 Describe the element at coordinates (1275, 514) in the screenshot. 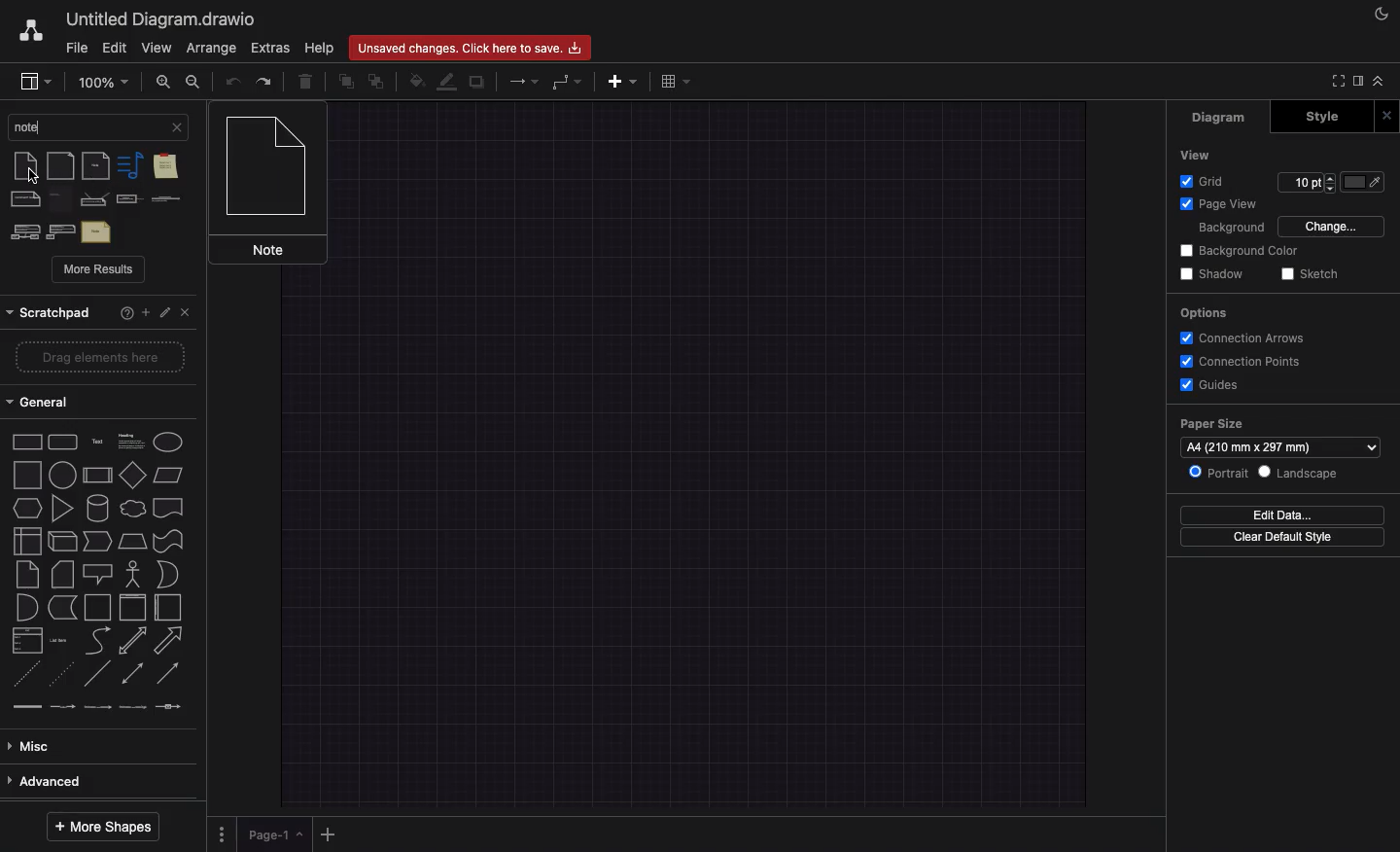

I see `Edit date` at that location.